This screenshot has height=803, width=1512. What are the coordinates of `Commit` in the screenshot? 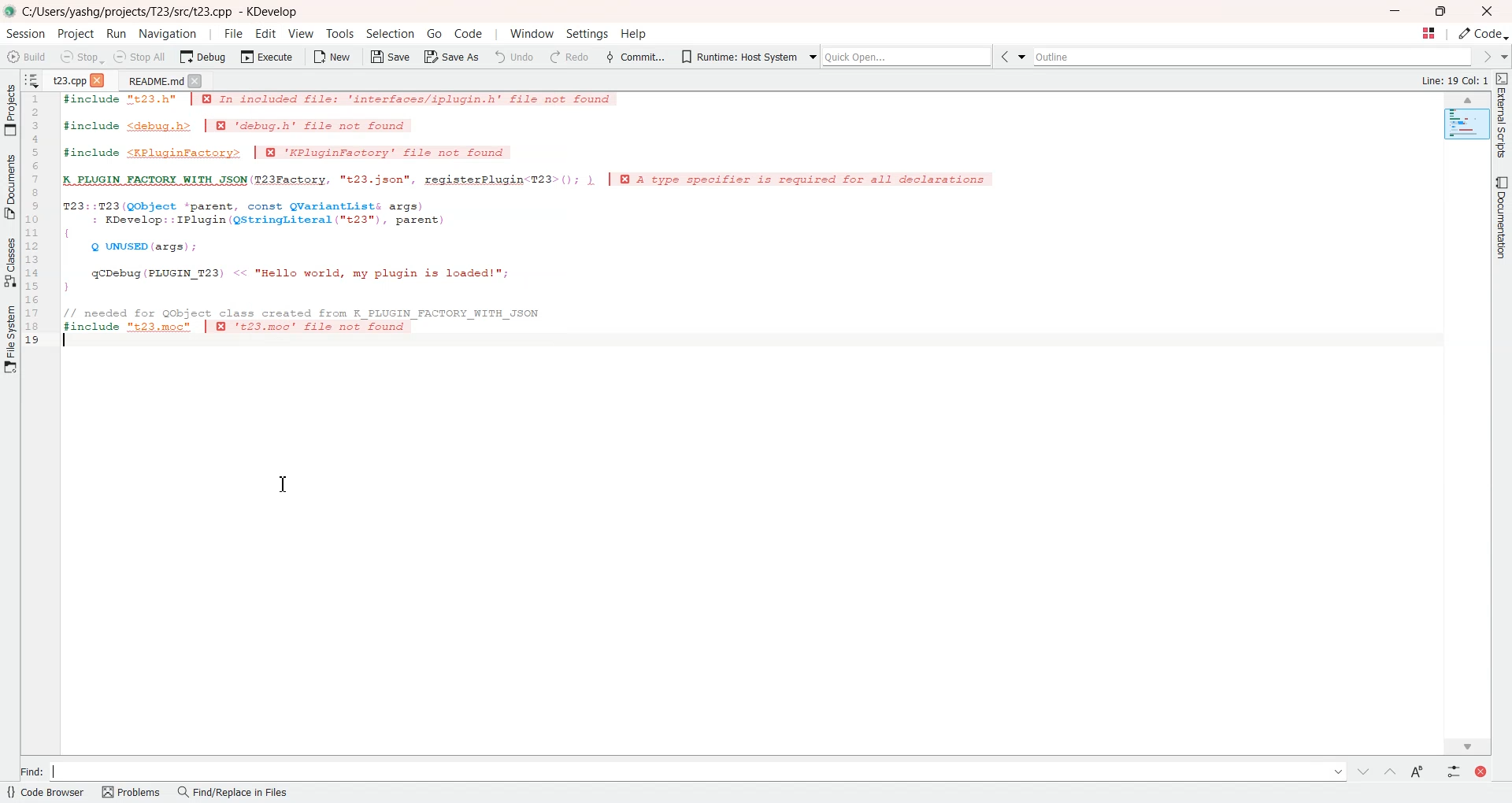 It's located at (634, 56).